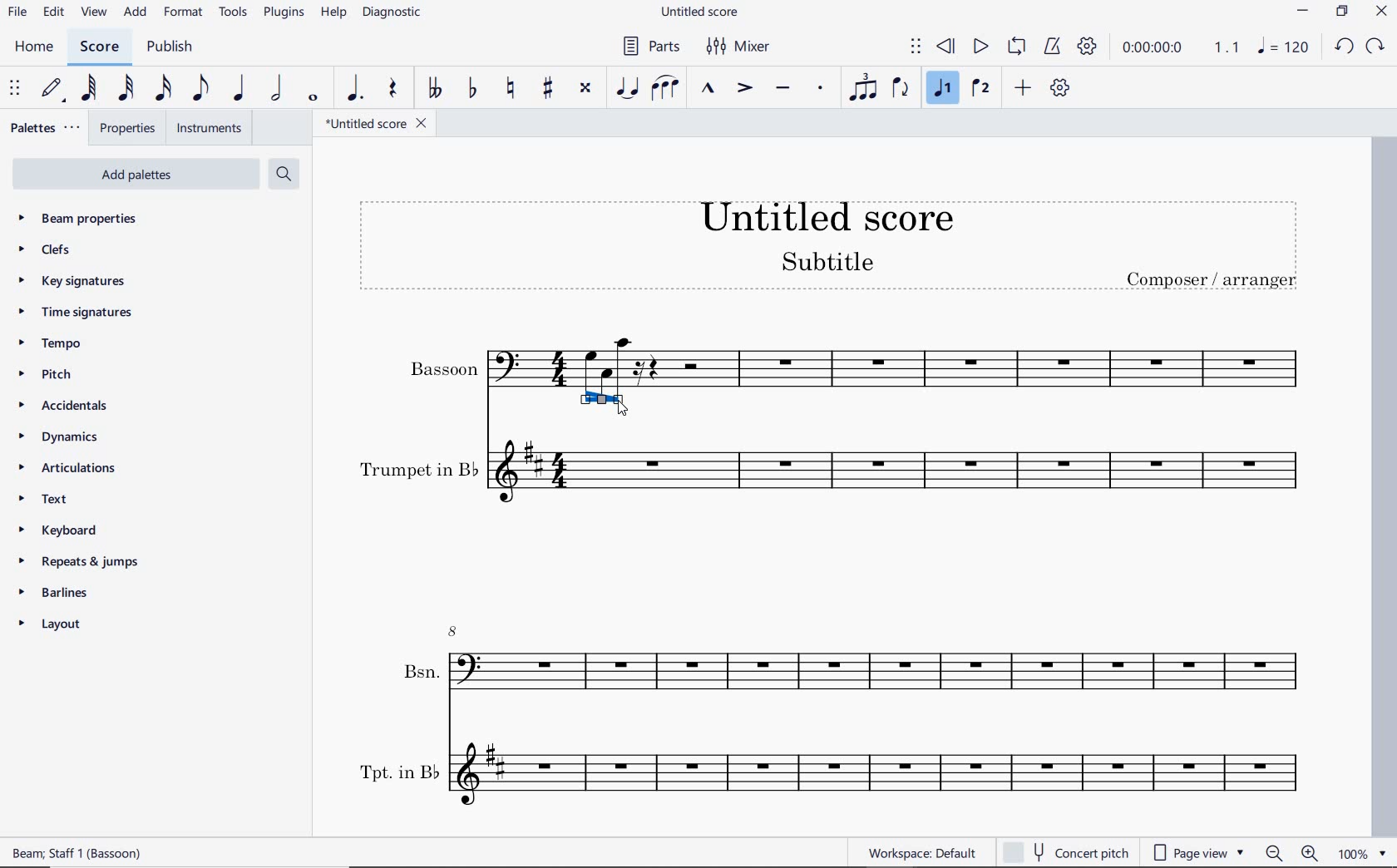 This screenshot has height=868, width=1397. I want to click on edit, so click(53, 14).